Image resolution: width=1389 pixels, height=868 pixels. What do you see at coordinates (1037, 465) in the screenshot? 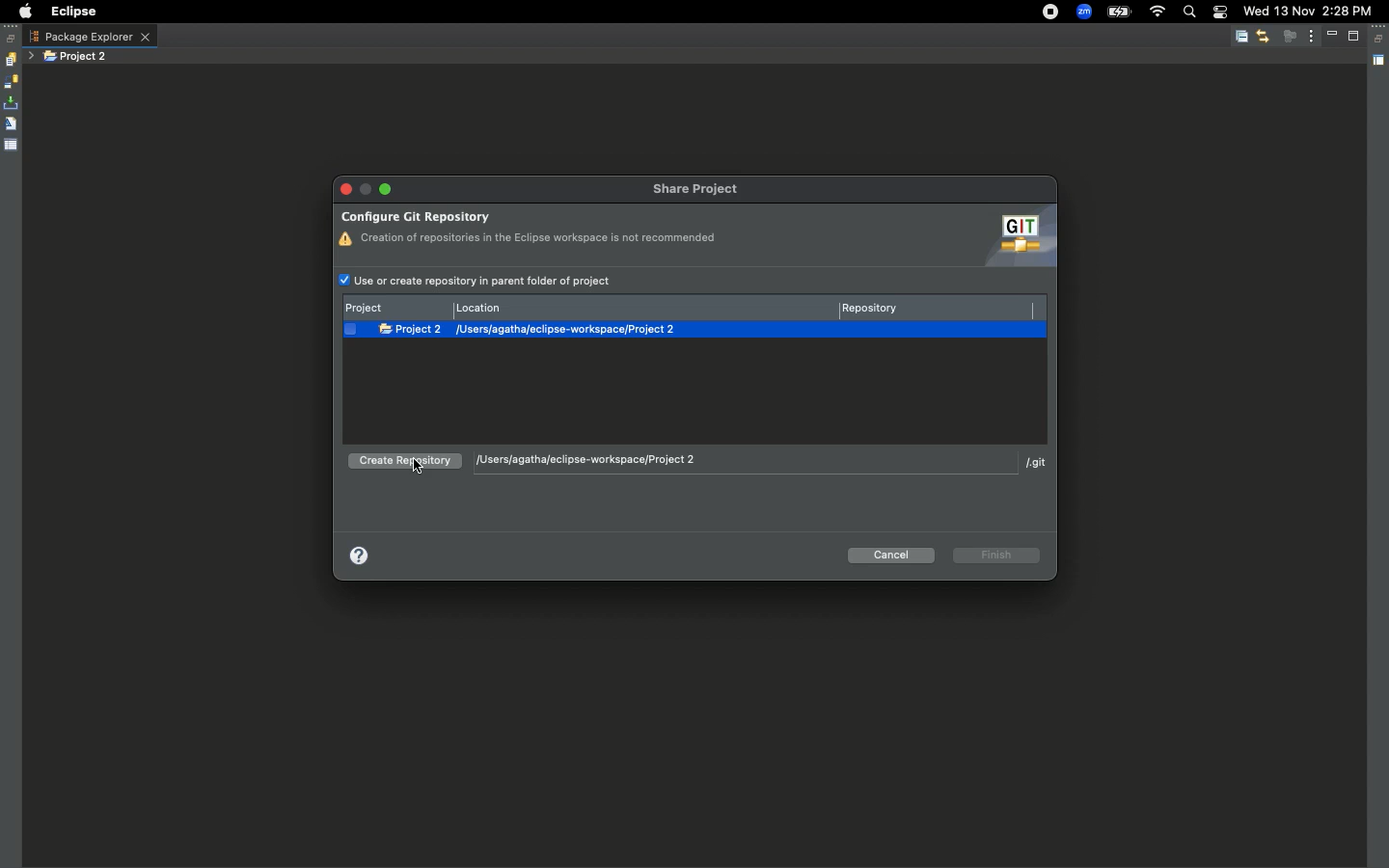
I see `/git` at bounding box center [1037, 465].